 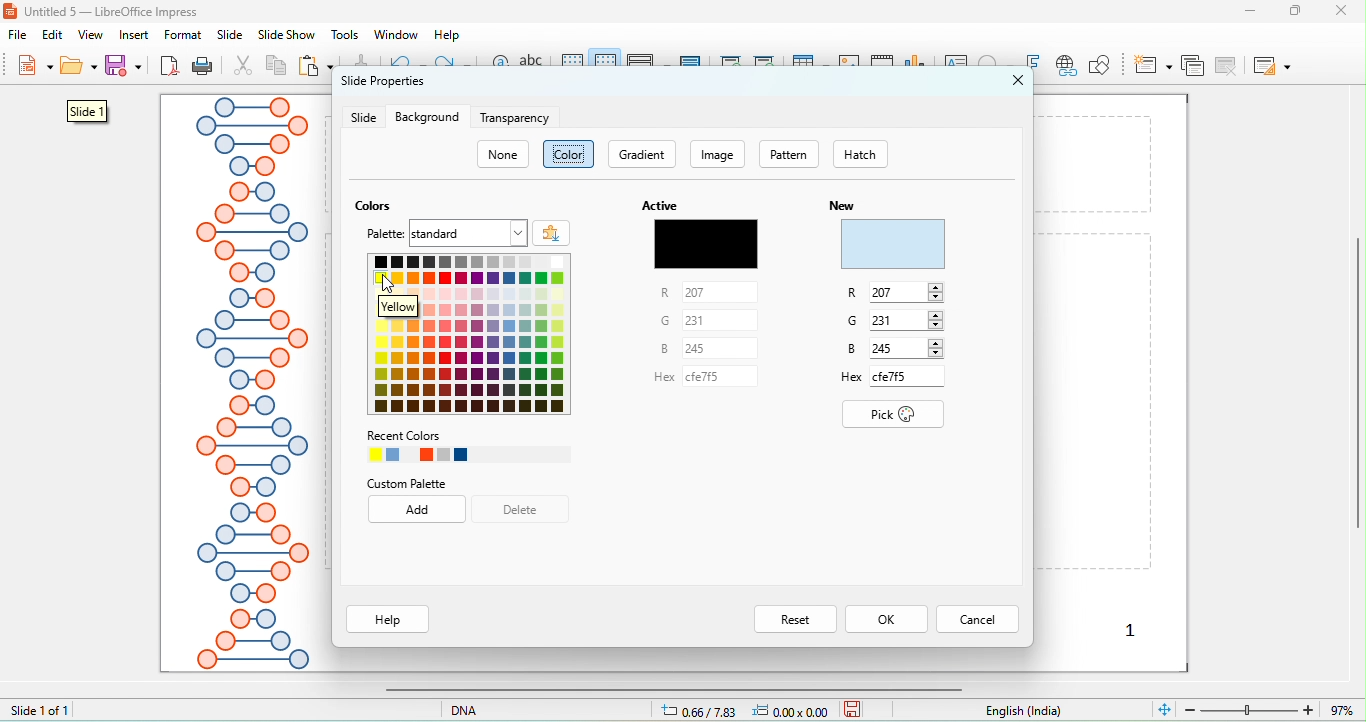 What do you see at coordinates (135, 35) in the screenshot?
I see `insert` at bounding box center [135, 35].